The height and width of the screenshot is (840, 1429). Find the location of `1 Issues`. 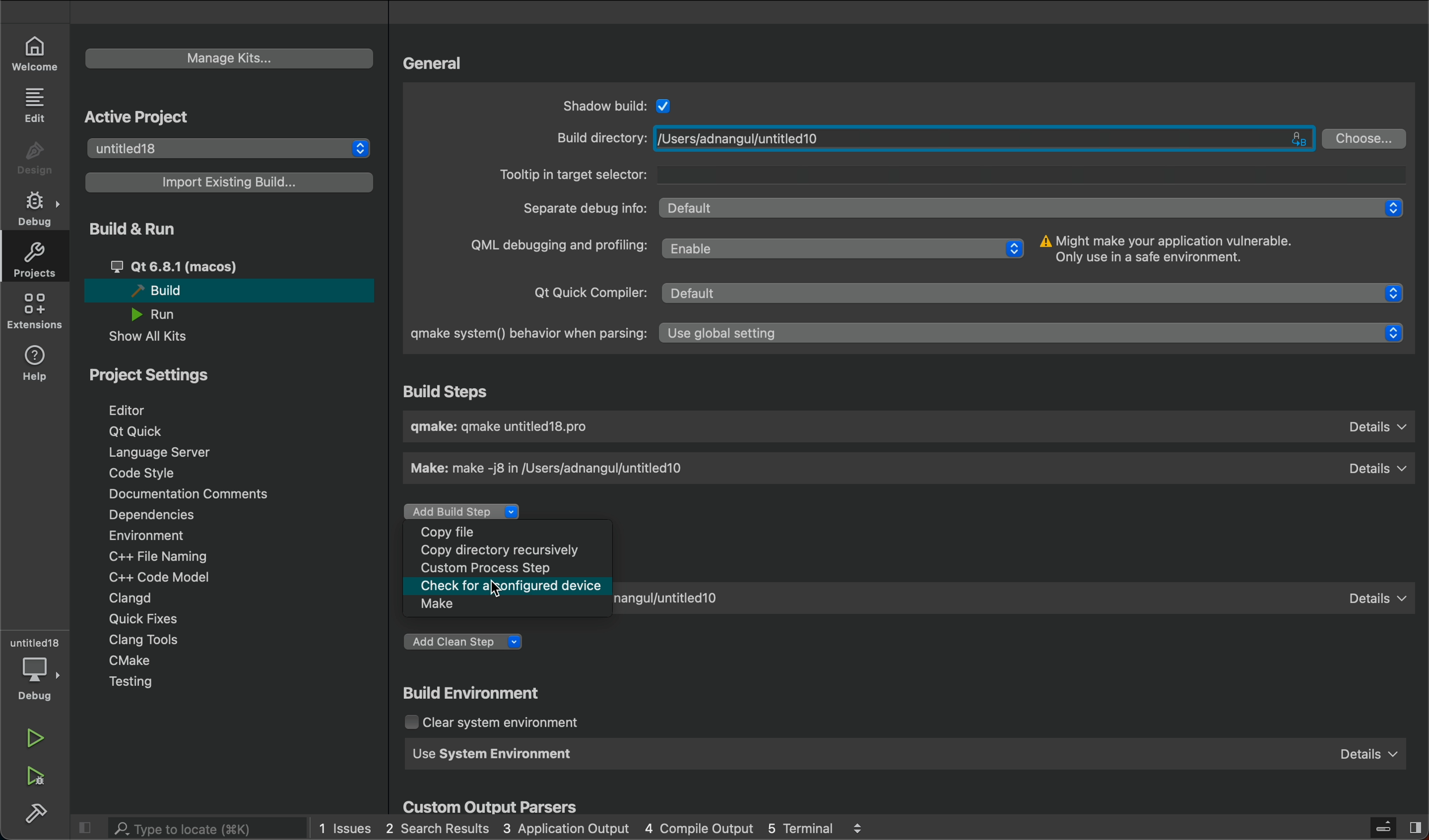

1 Issues is located at coordinates (344, 826).